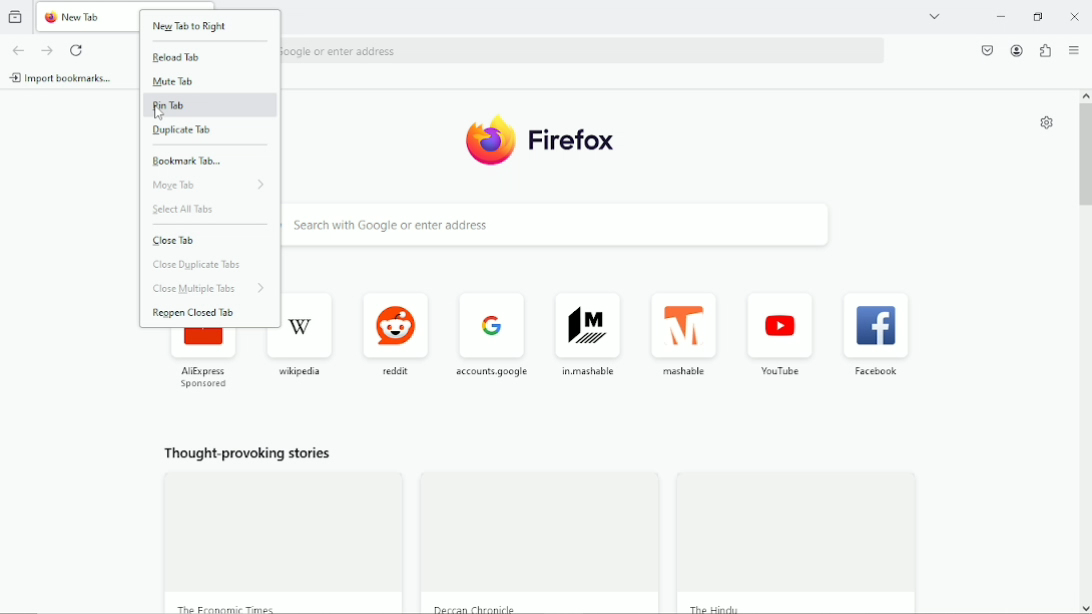  Describe the element at coordinates (396, 333) in the screenshot. I see `reddit` at that location.